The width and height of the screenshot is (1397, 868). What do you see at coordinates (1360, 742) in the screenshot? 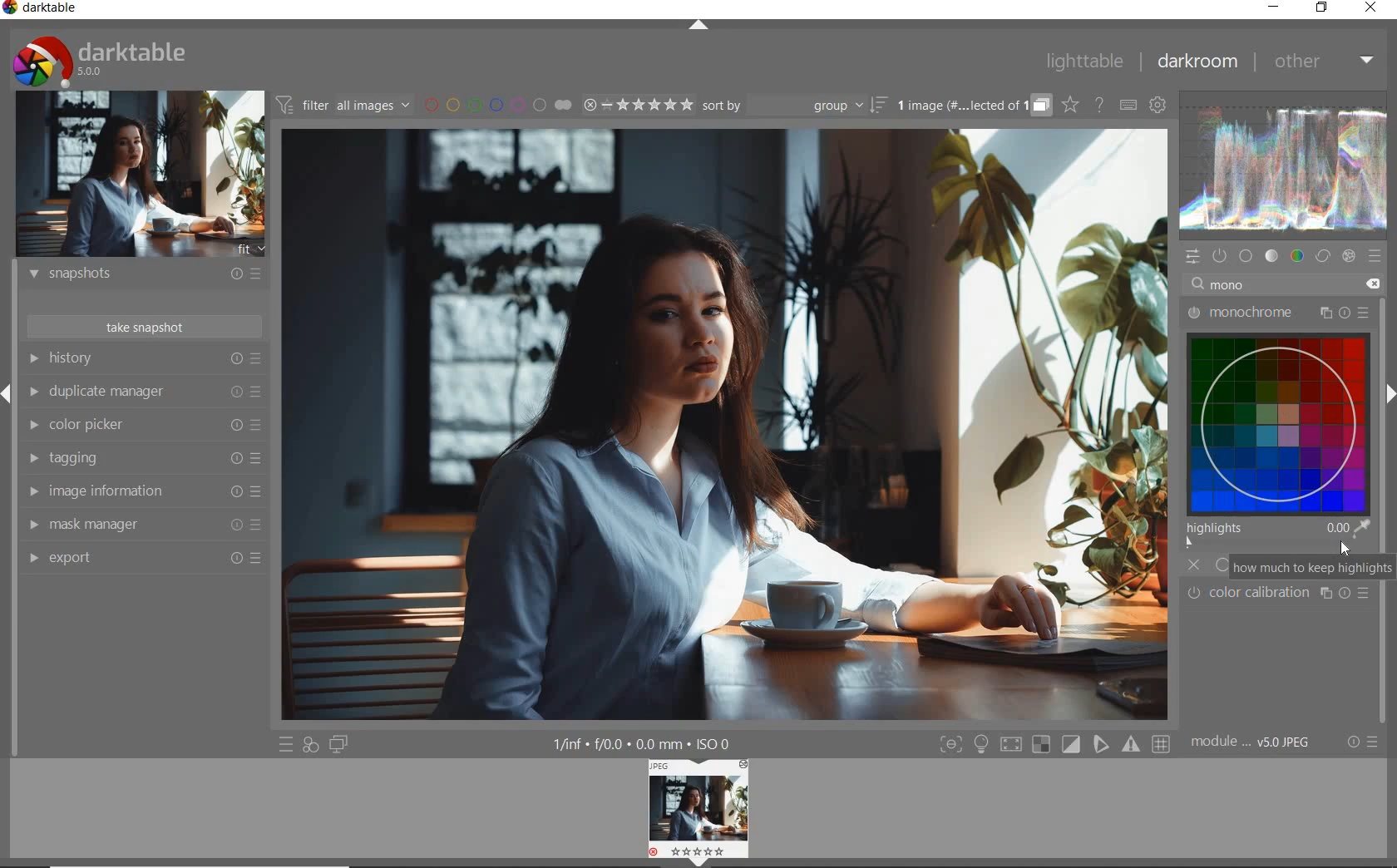
I see `reset or presets and preferences` at bounding box center [1360, 742].